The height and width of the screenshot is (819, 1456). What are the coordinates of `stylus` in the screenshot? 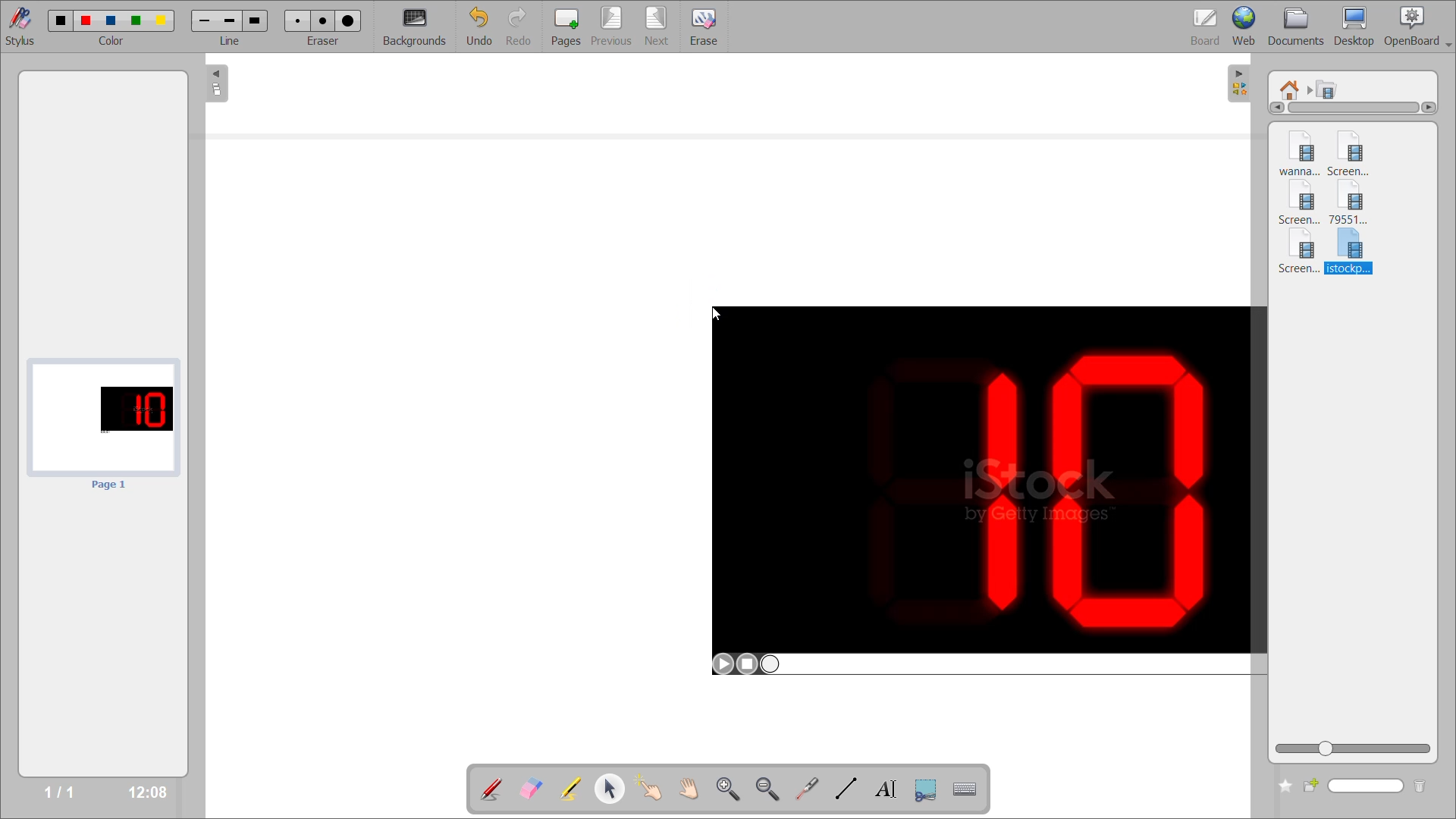 It's located at (24, 27).